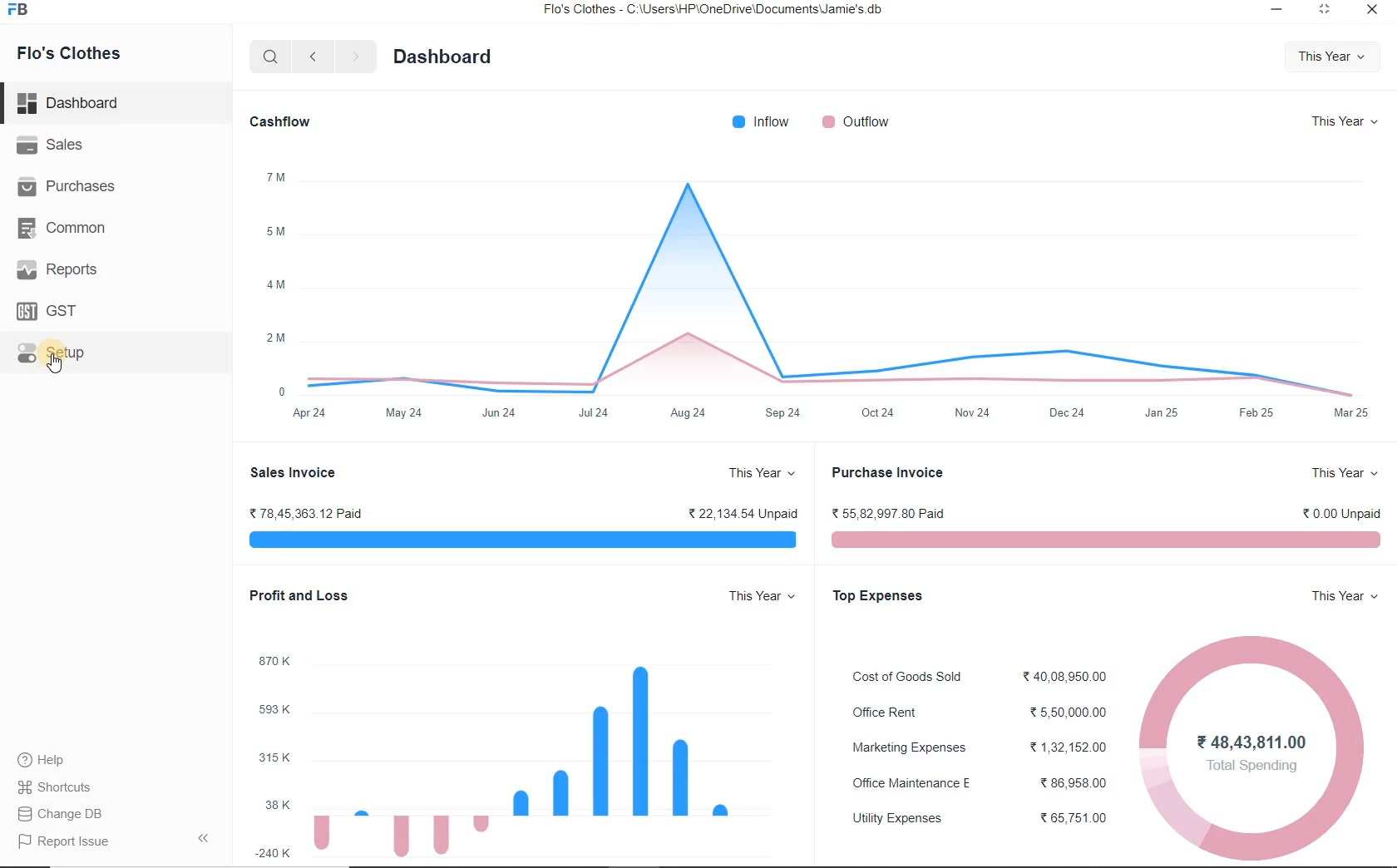  I want to click on 599 K, so click(274, 707).